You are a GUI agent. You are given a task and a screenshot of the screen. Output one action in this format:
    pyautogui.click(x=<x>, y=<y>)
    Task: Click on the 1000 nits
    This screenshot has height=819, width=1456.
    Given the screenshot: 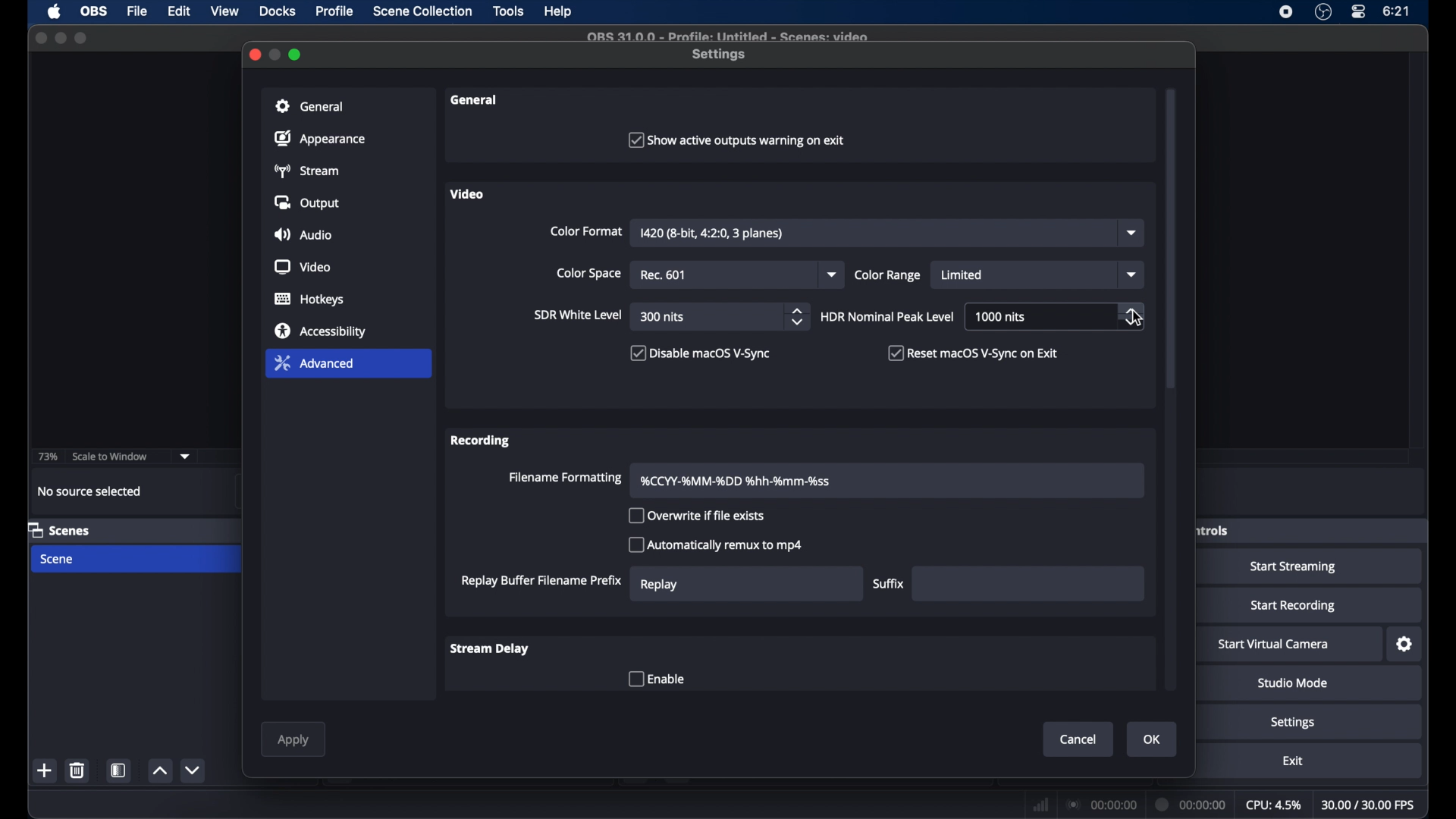 What is the action you would take?
    pyautogui.click(x=1001, y=316)
    